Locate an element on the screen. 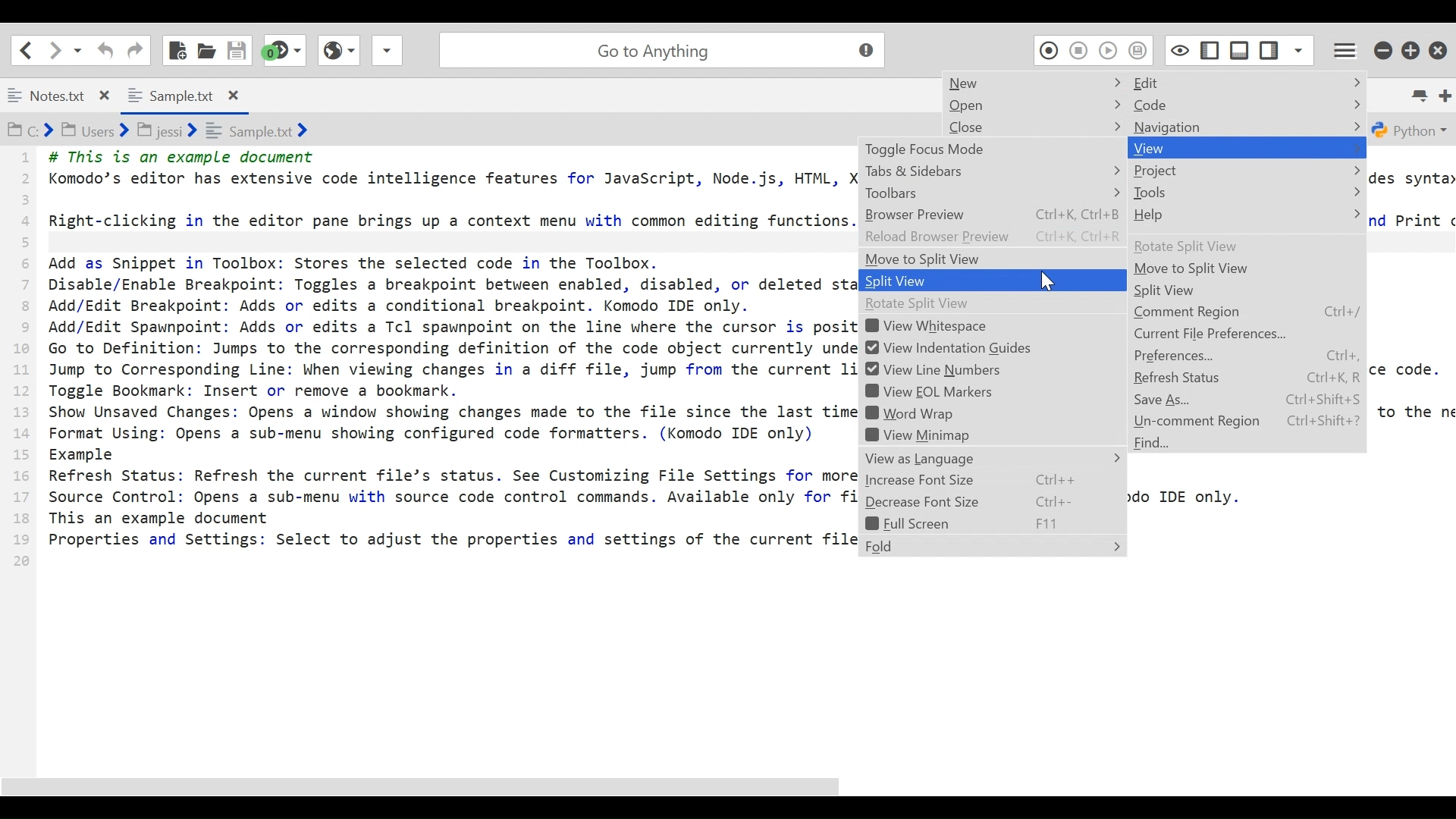 The height and width of the screenshot is (819, 1456). View EQL Markers is located at coordinates (989, 392).